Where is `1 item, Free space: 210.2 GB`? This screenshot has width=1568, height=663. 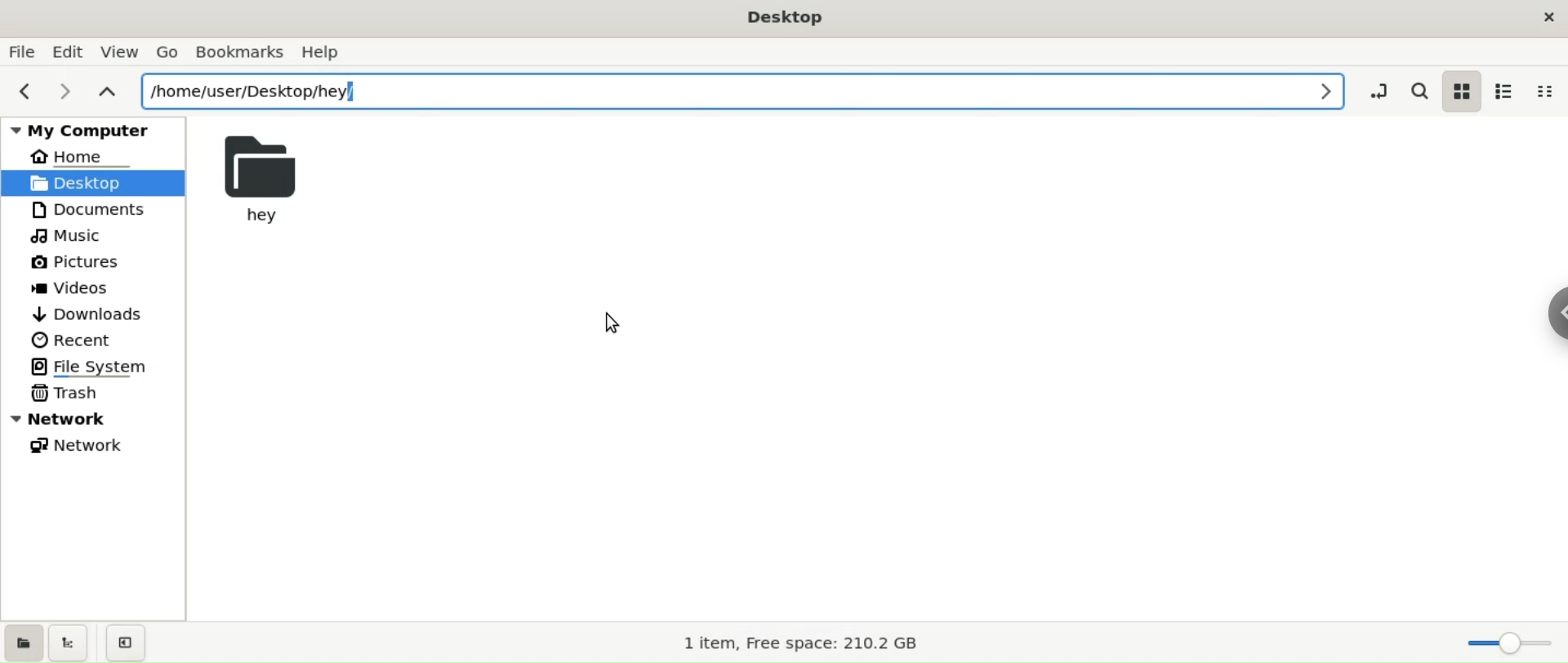
1 item, Free space: 210.2 GB is located at coordinates (816, 644).